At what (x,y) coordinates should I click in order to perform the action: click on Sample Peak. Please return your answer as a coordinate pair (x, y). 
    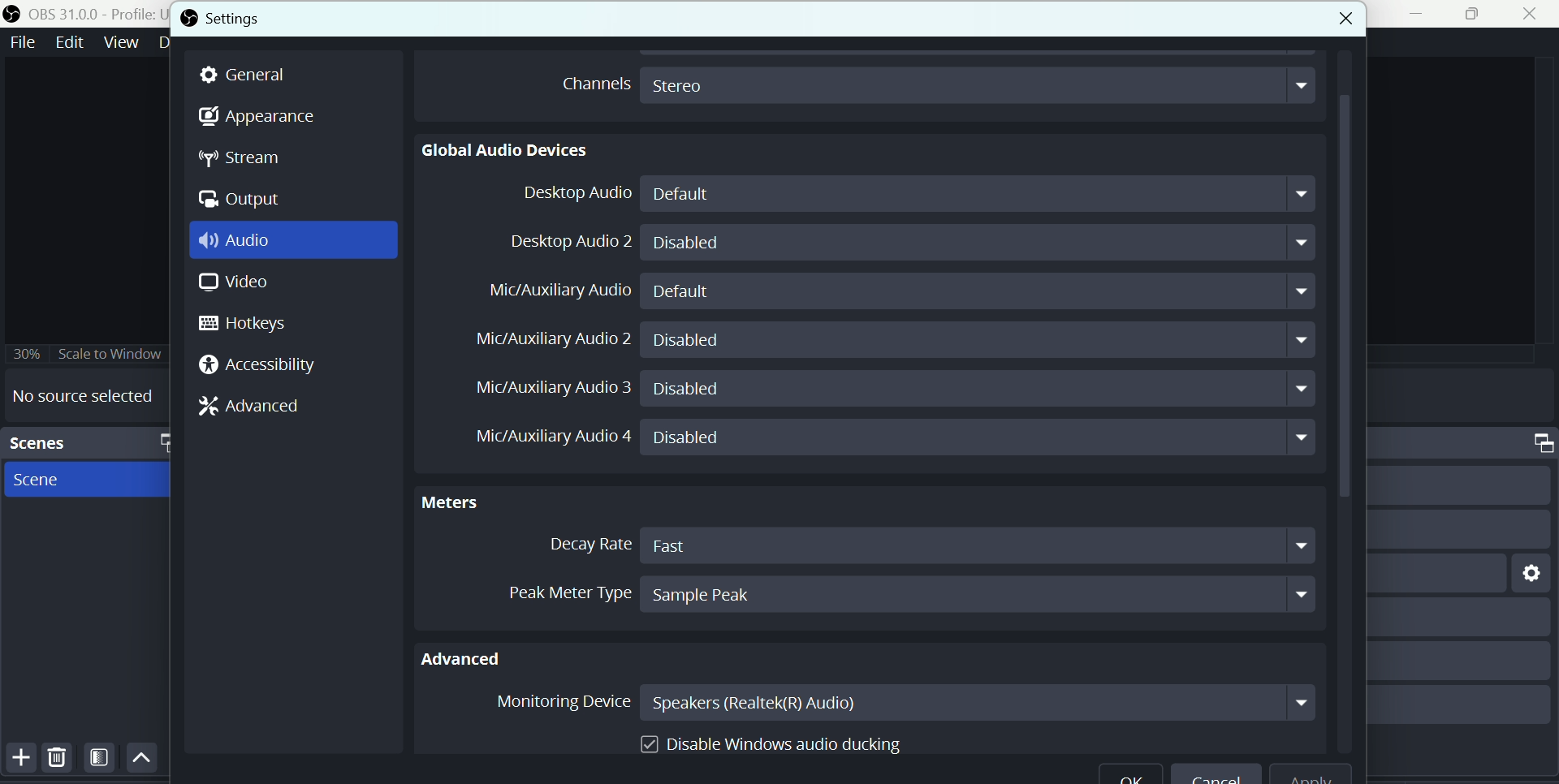
    Looking at the image, I should click on (978, 594).